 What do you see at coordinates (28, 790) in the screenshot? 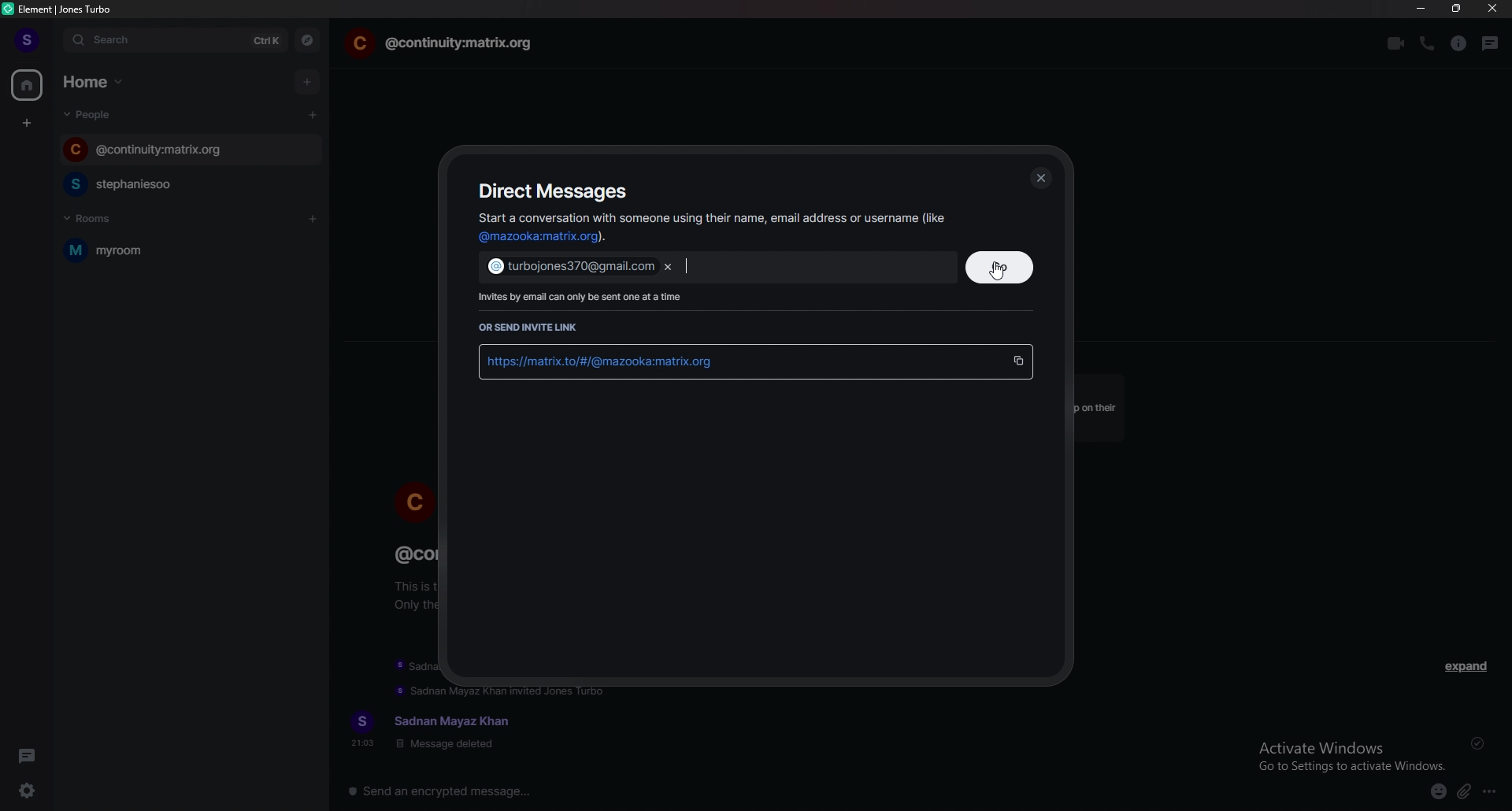
I see `quick settings` at bounding box center [28, 790].